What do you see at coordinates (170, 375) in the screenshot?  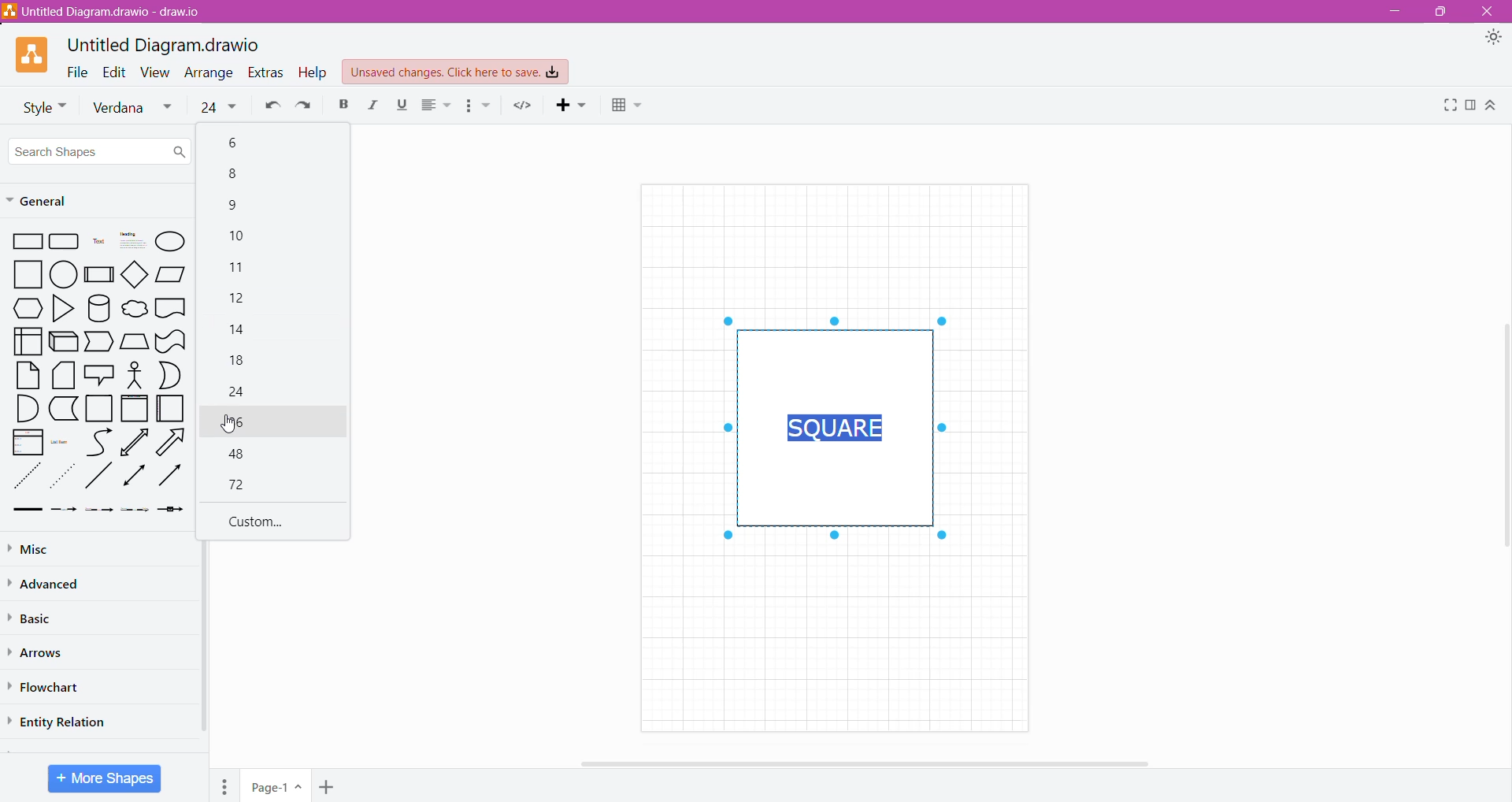 I see `Half Circle` at bounding box center [170, 375].